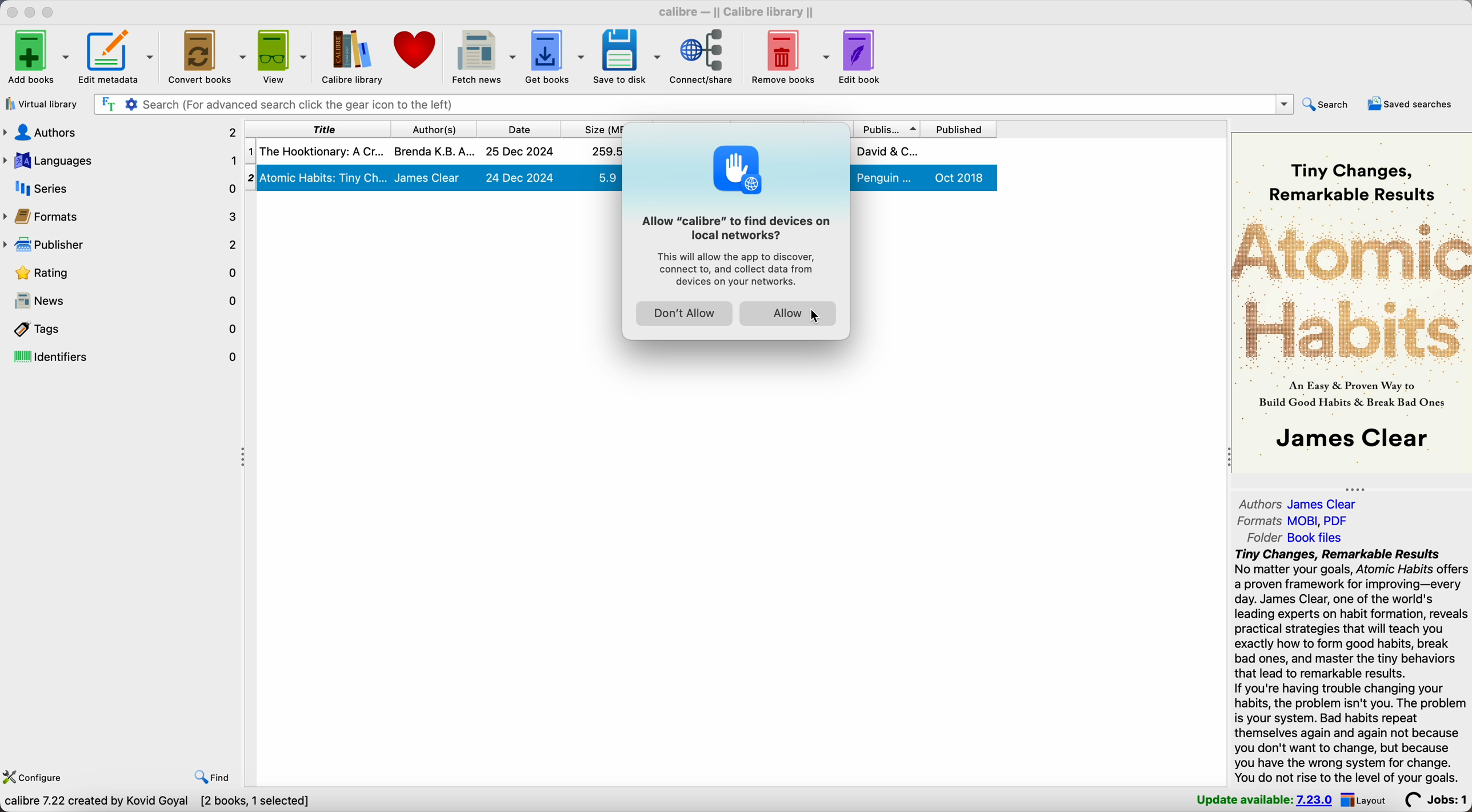  Describe the element at coordinates (30, 11) in the screenshot. I see `minimize` at that location.